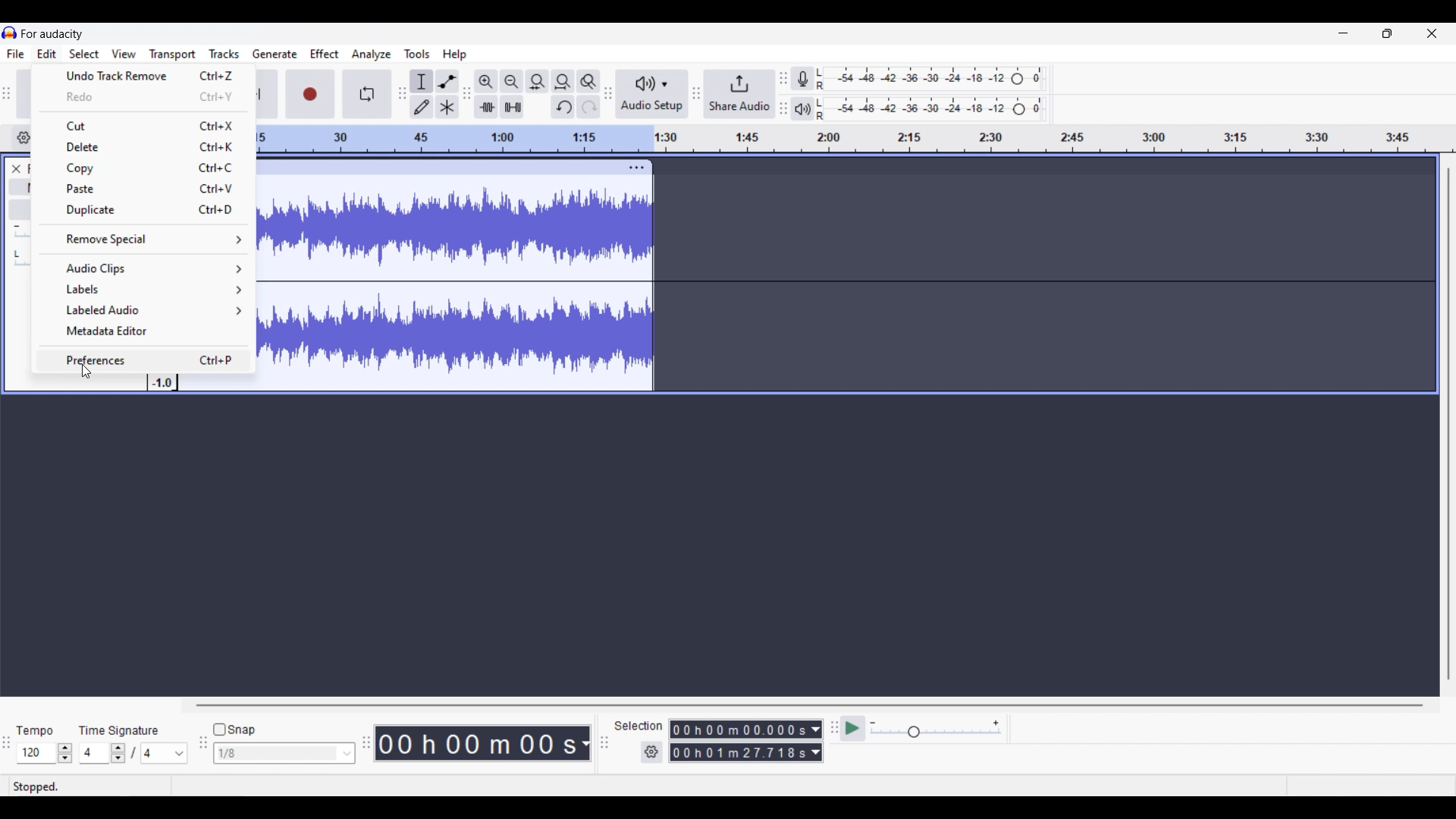 Image resolution: width=1456 pixels, height=819 pixels. Describe the element at coordinates (146, 168) in the screenshot. I see `Copy` at that location.